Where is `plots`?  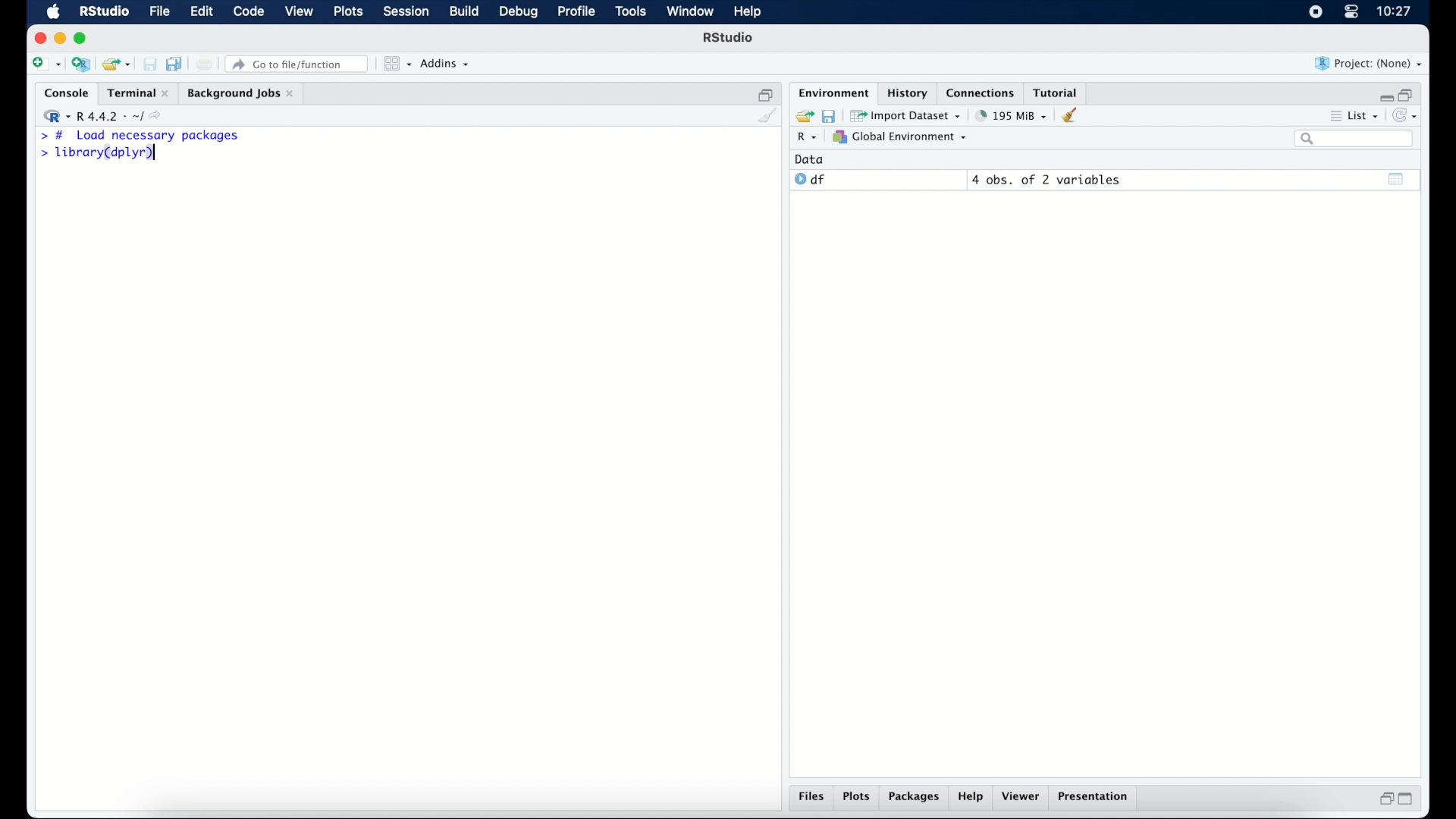
plots is located at coordinates (350, 13).